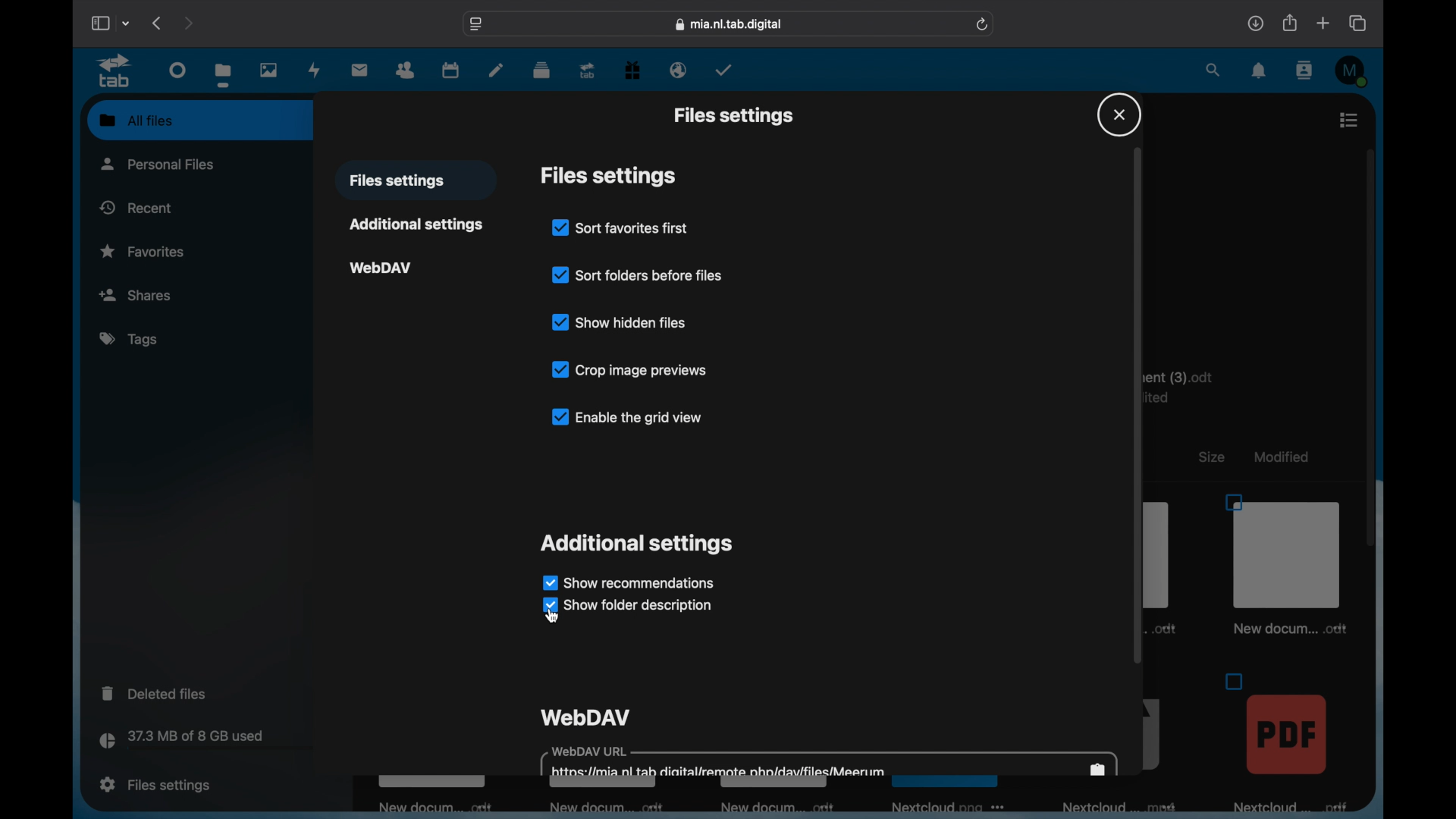 The height and width of the screenshot is (819, 1456). What do you see at coordinates (729, 24) in the screenshot?
I see `web address` at bounding box center [729, 24].